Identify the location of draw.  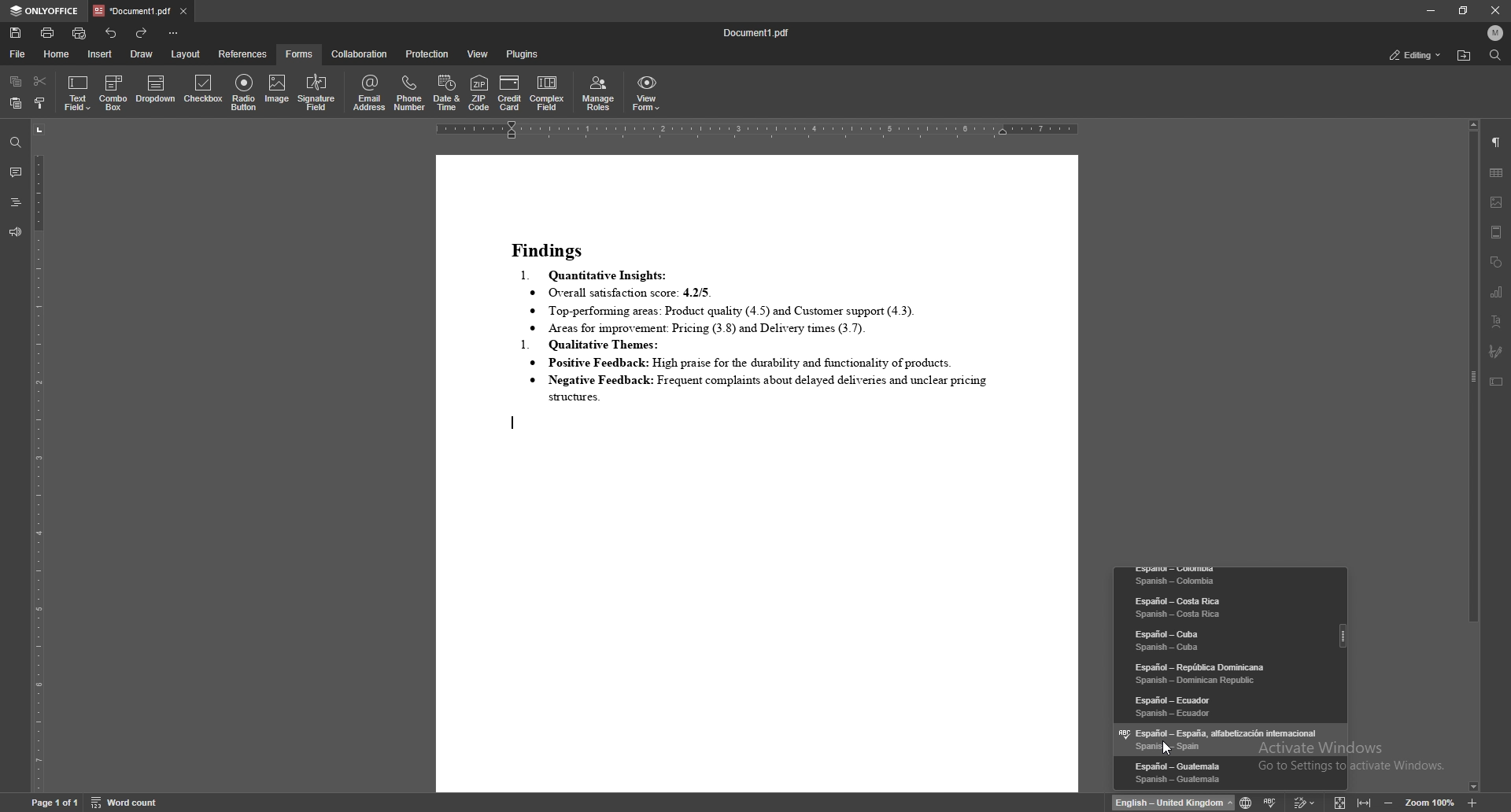
(141, 54).